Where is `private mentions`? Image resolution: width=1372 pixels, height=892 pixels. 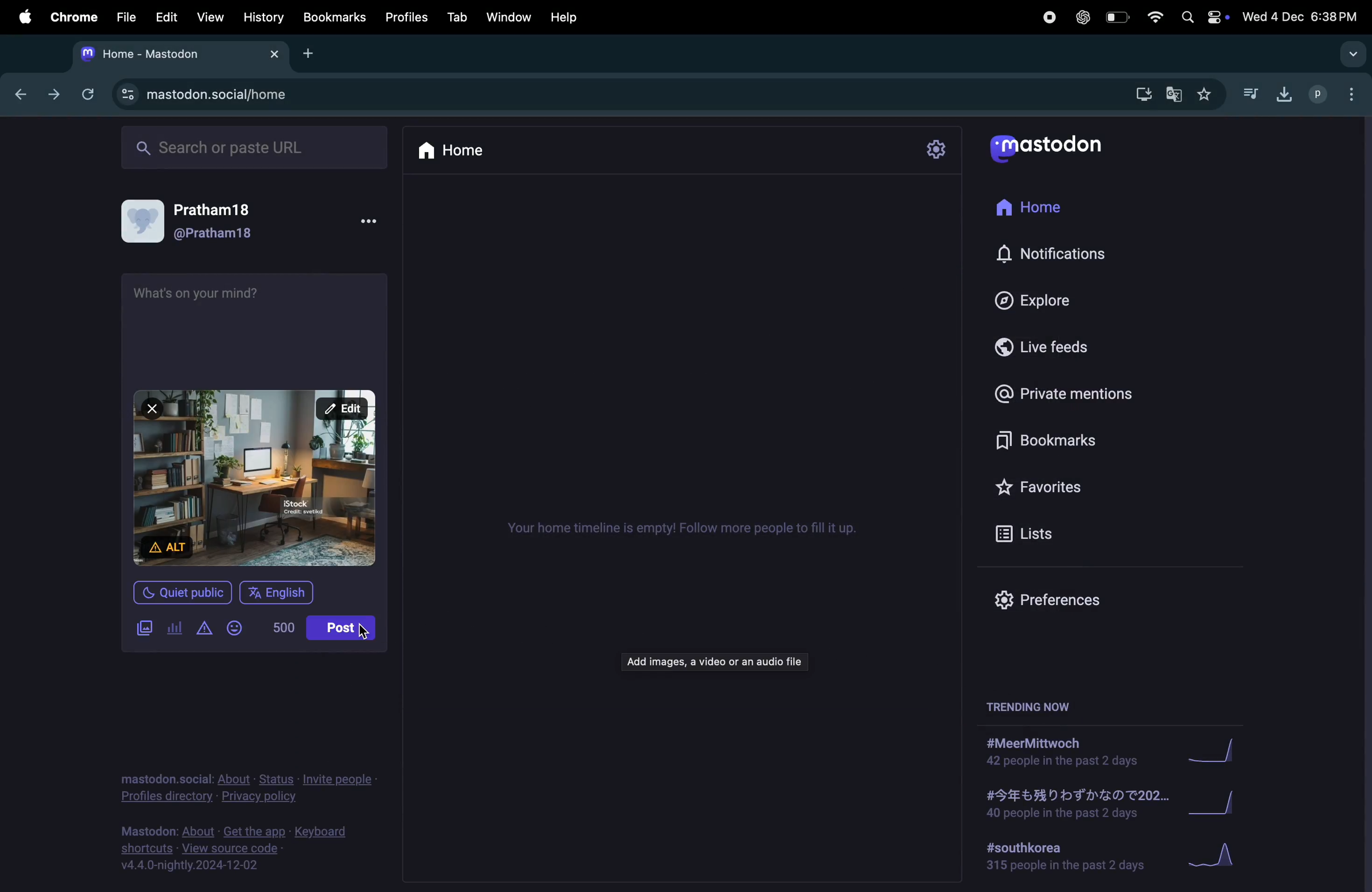
private mentions is located at coordinates (1065, 397).